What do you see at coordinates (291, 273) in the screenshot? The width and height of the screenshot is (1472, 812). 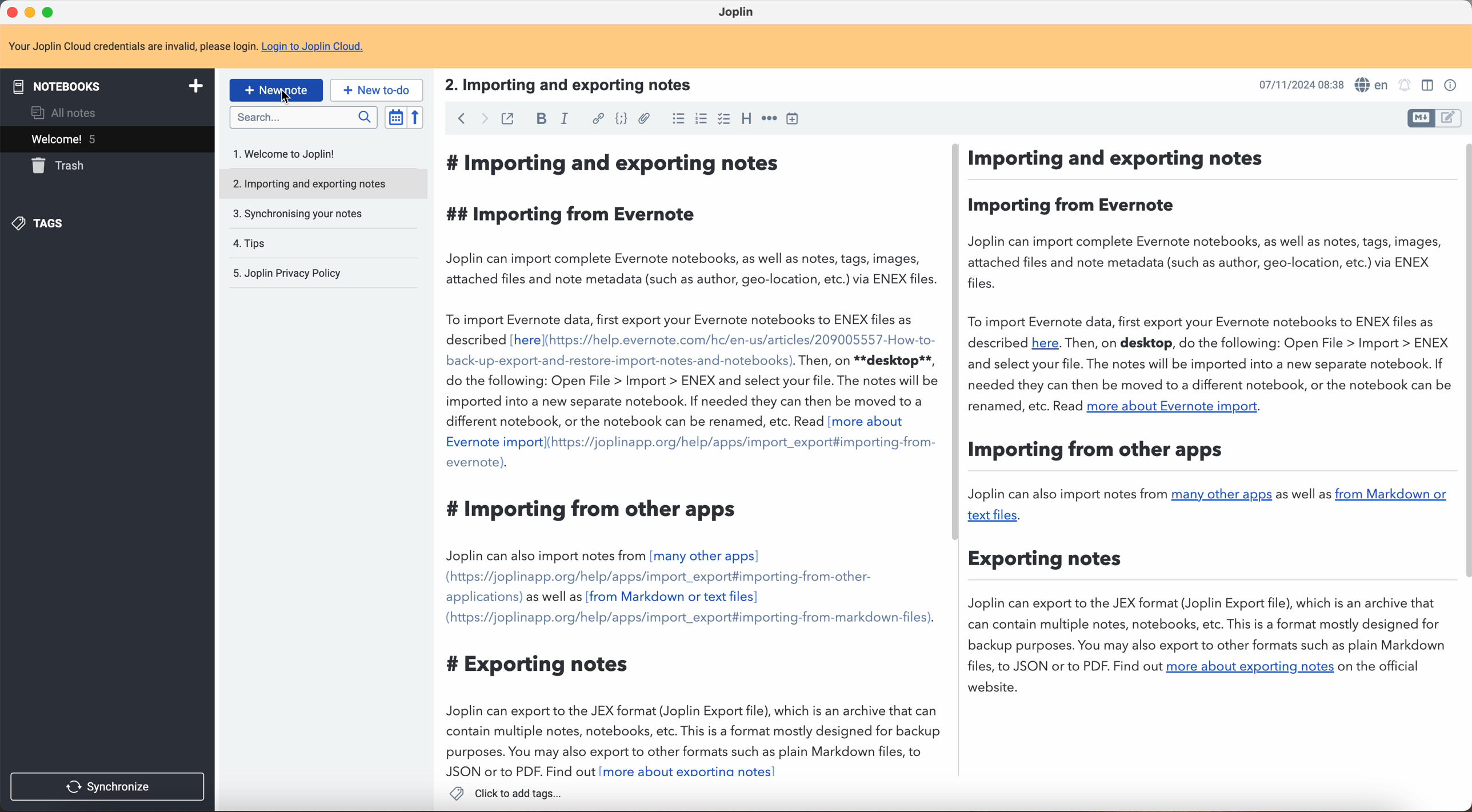 I see `Joplin privacy policy` at bounding box center [291, 273].